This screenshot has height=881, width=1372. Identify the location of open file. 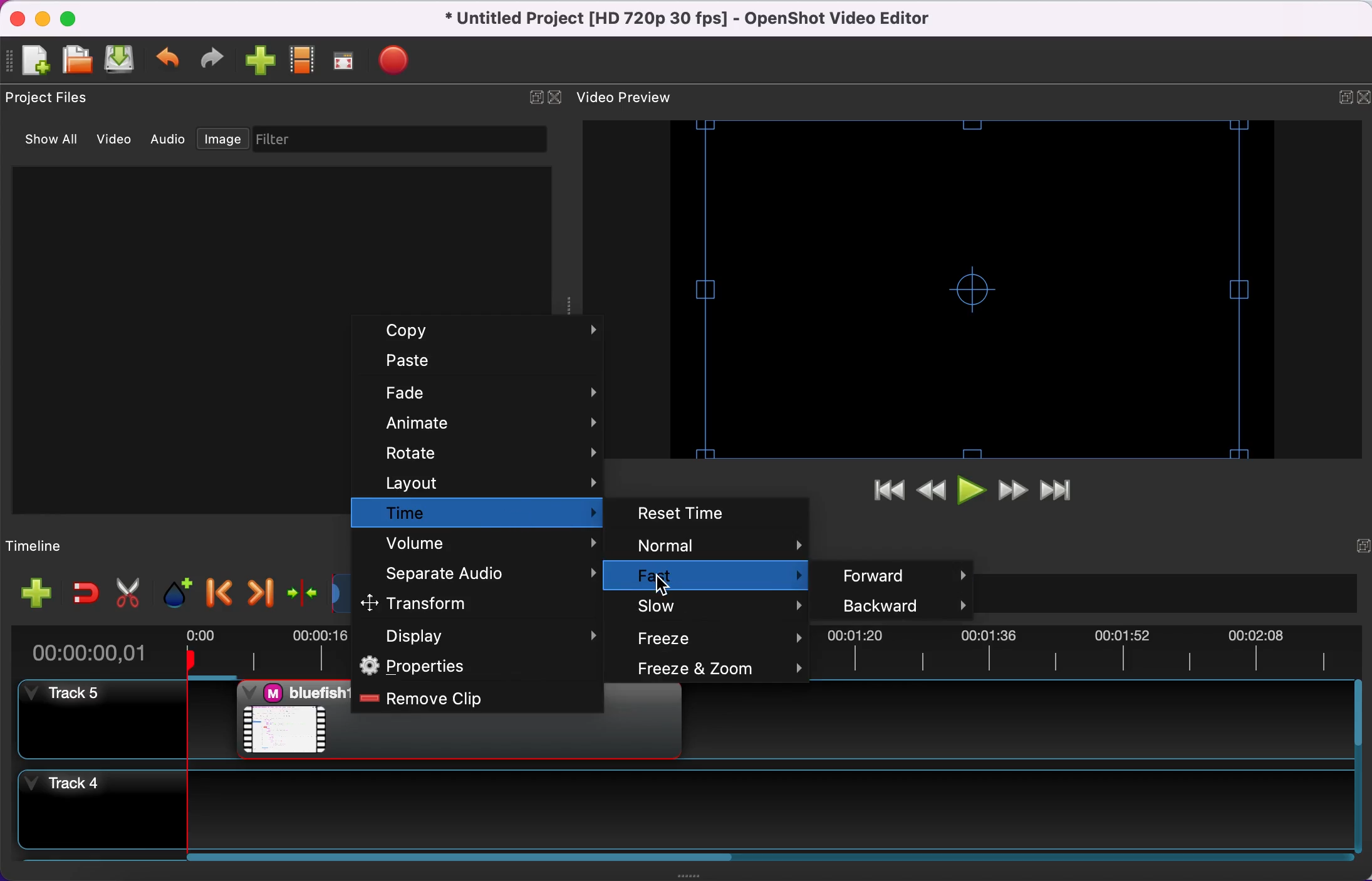
(78, 61).